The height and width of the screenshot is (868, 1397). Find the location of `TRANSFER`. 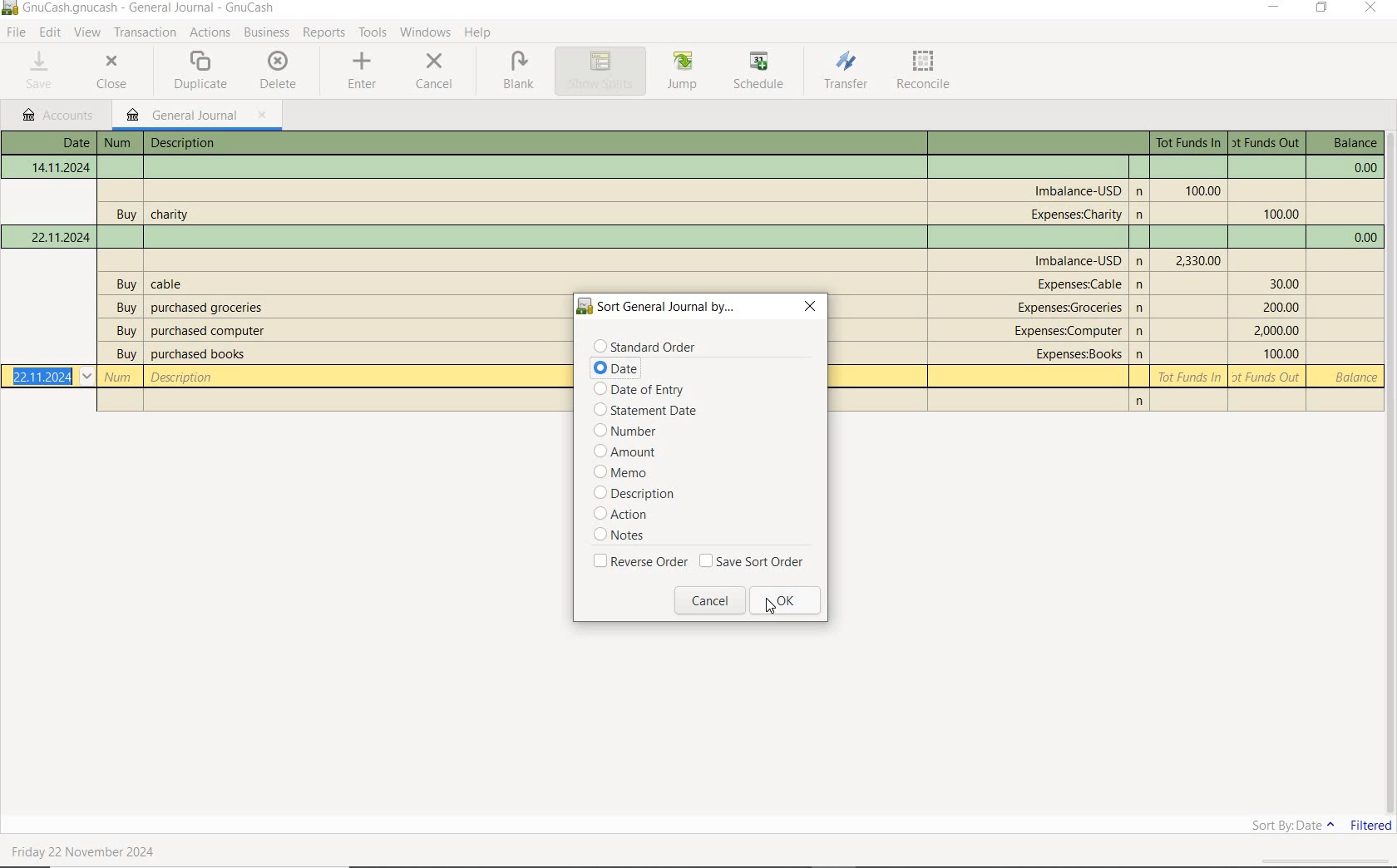

TRANSFER is located at coordinates (846, 71).